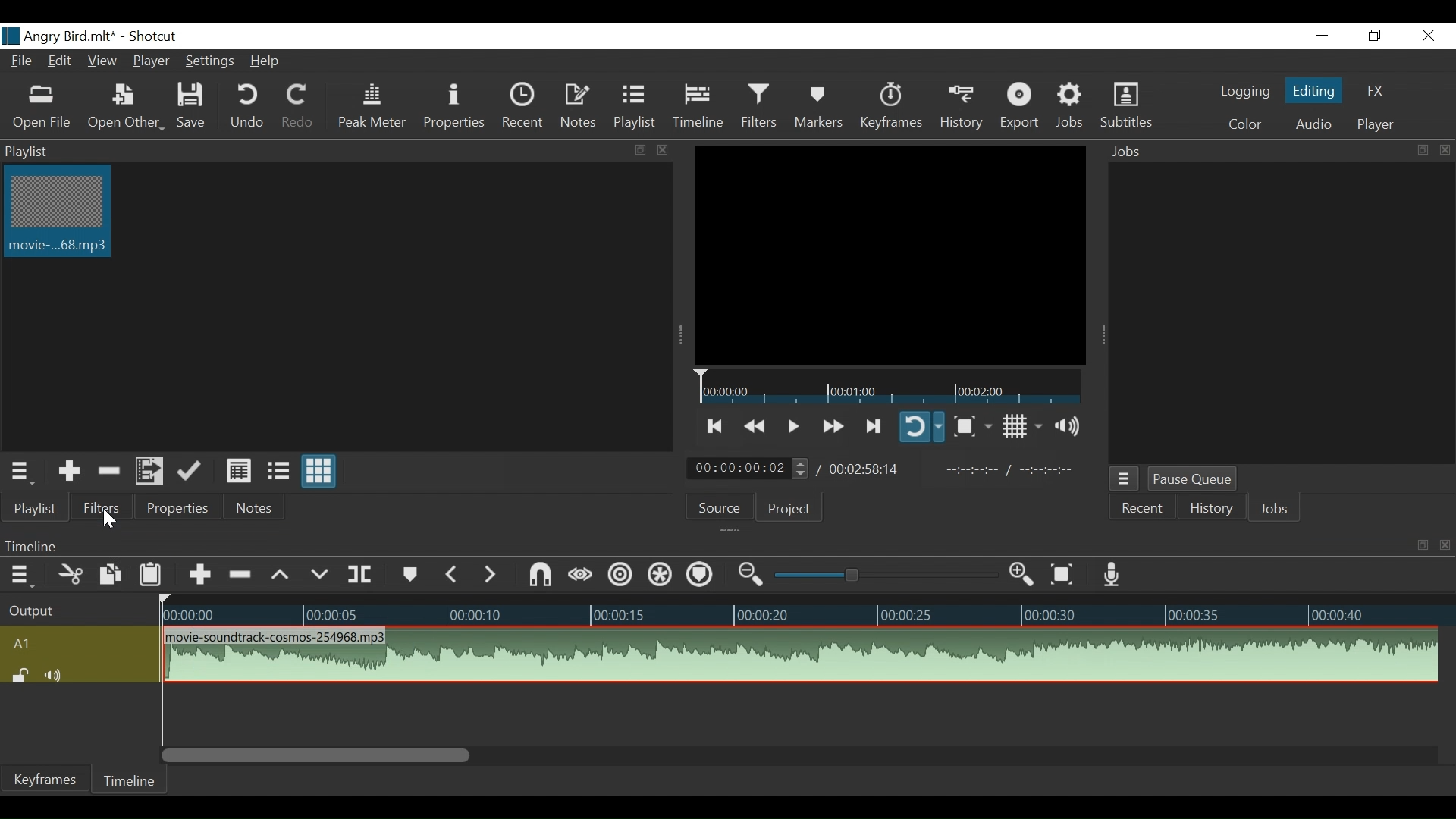 This screenshot has width=1456, height=819. Describe the element at coordinates (457, 105) in the screenshot. I see `Properties` at that location.